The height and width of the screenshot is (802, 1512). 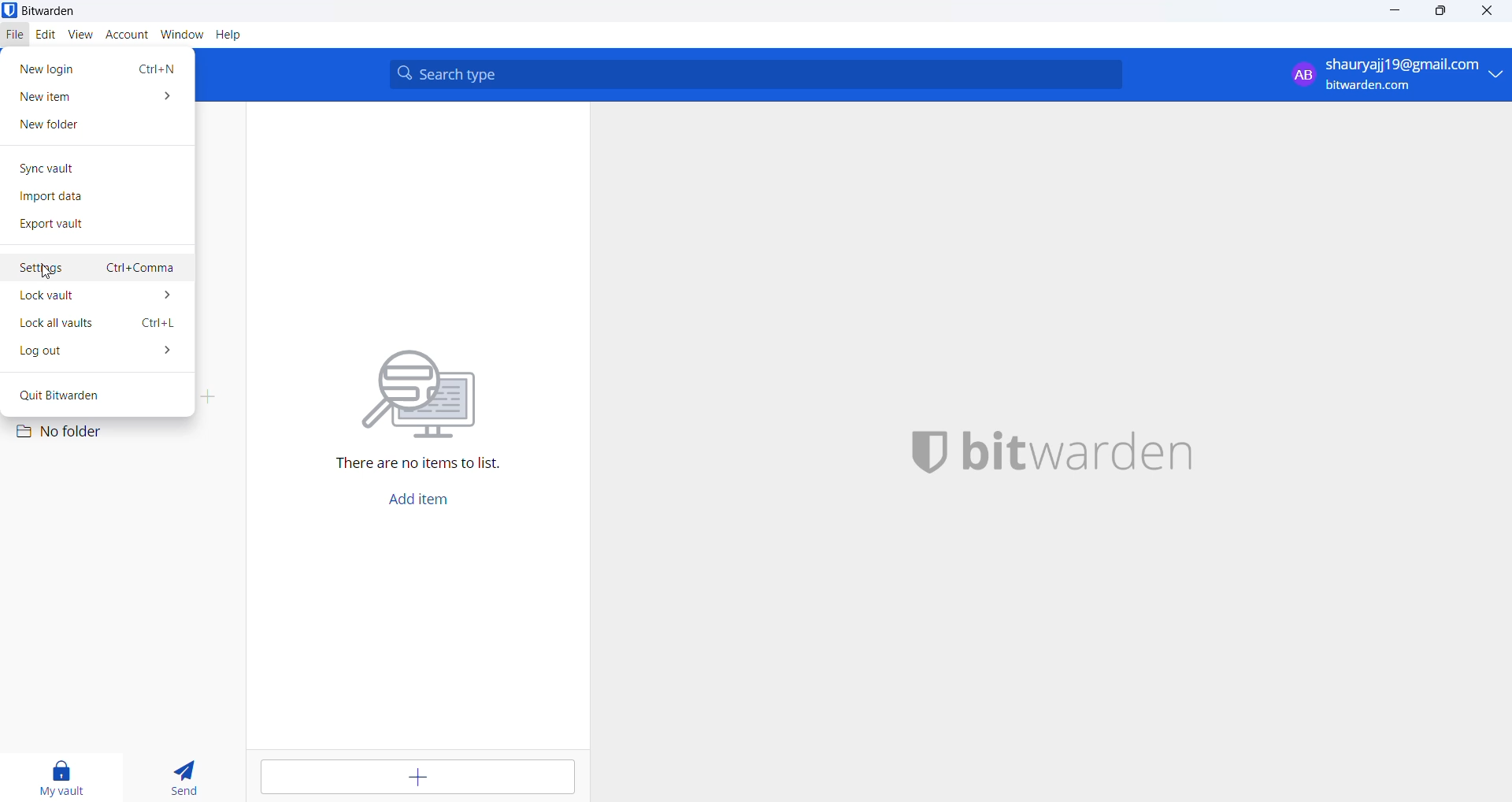 What do you see at coordinates (1489, 14) in the screenshot?
I see `close` at bounding box center [1489, 14].